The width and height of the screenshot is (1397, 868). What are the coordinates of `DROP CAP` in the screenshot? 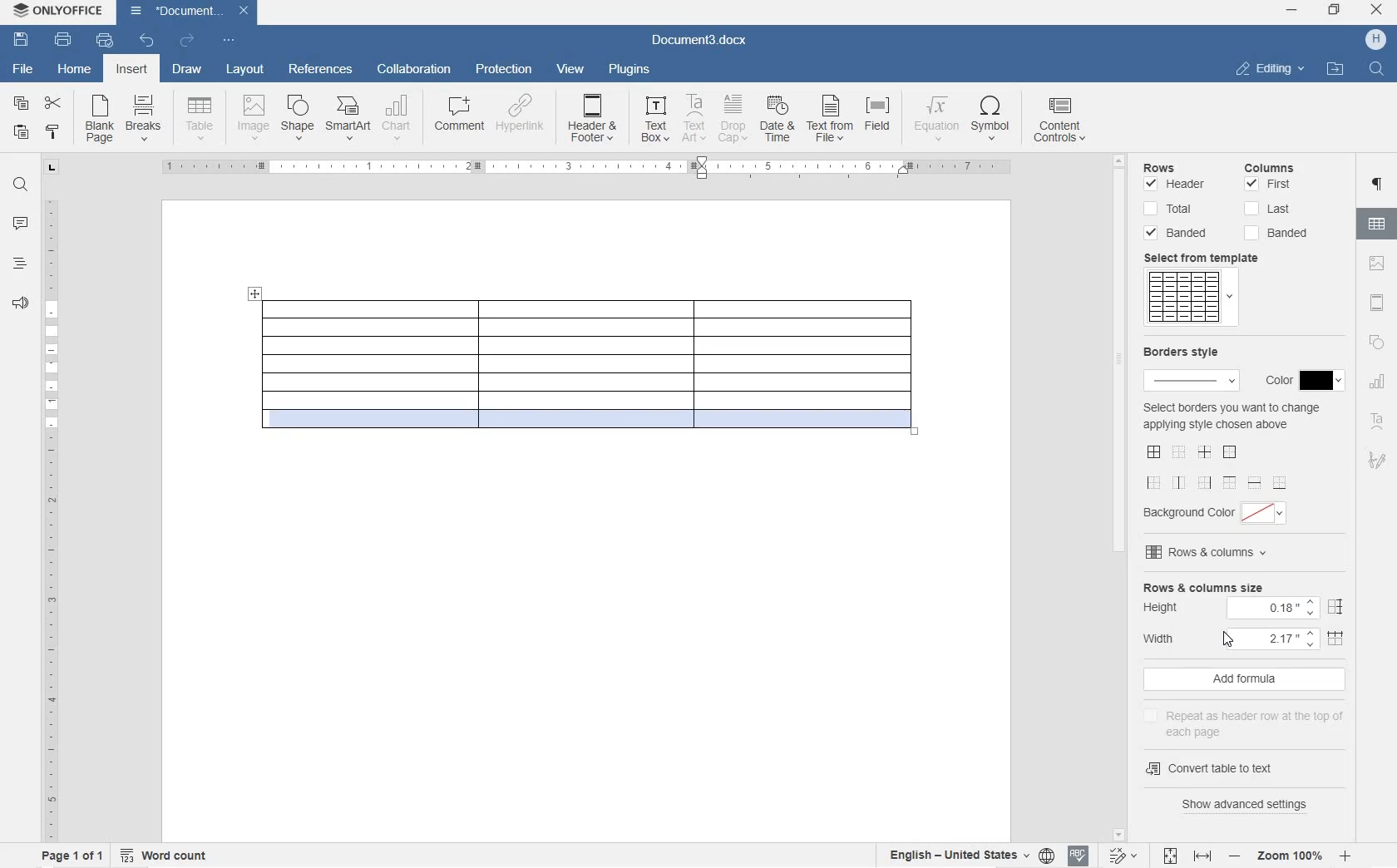 It's located at (734, 119).